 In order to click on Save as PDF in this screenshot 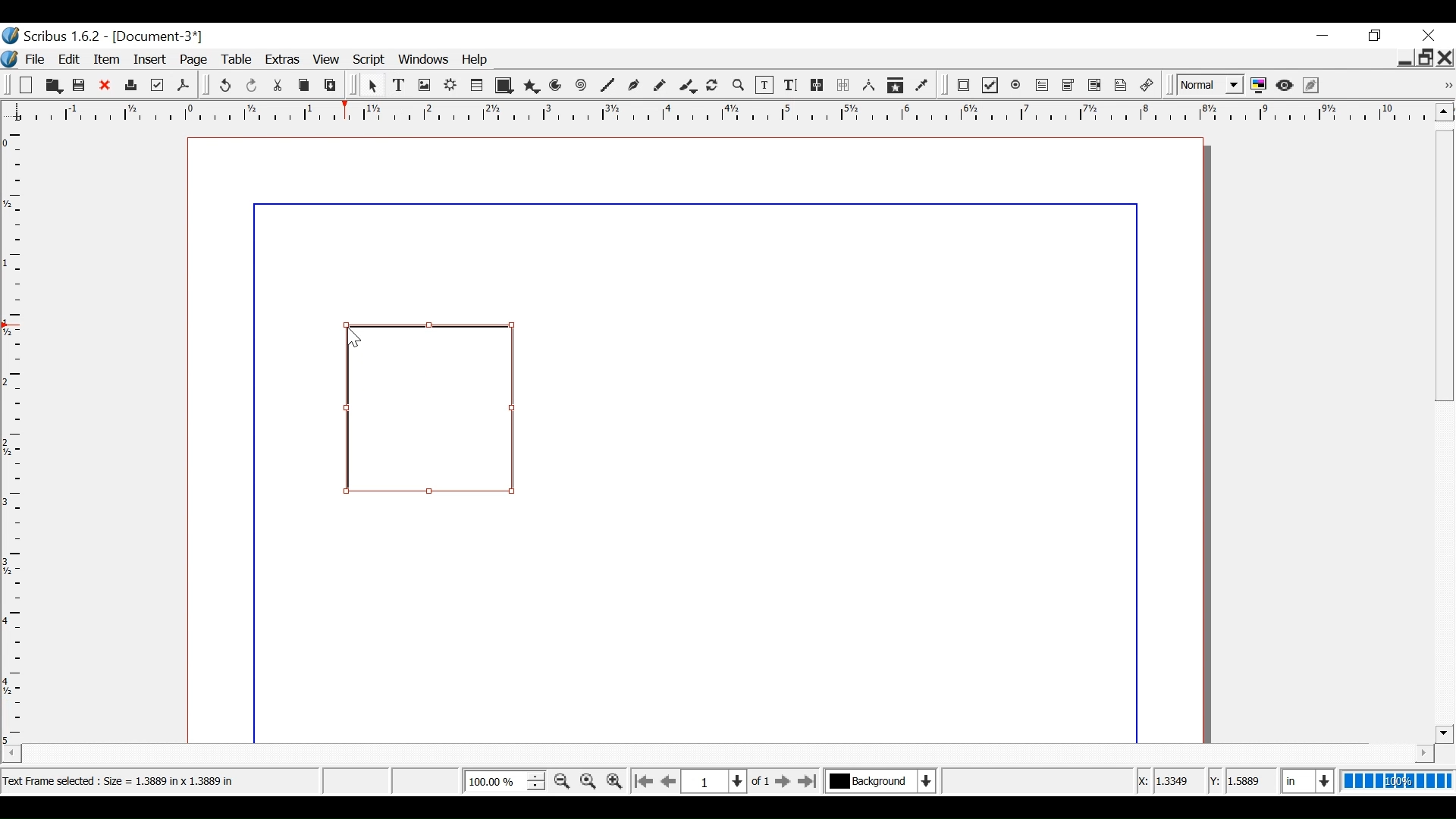, I will do `click(184, 83)`.